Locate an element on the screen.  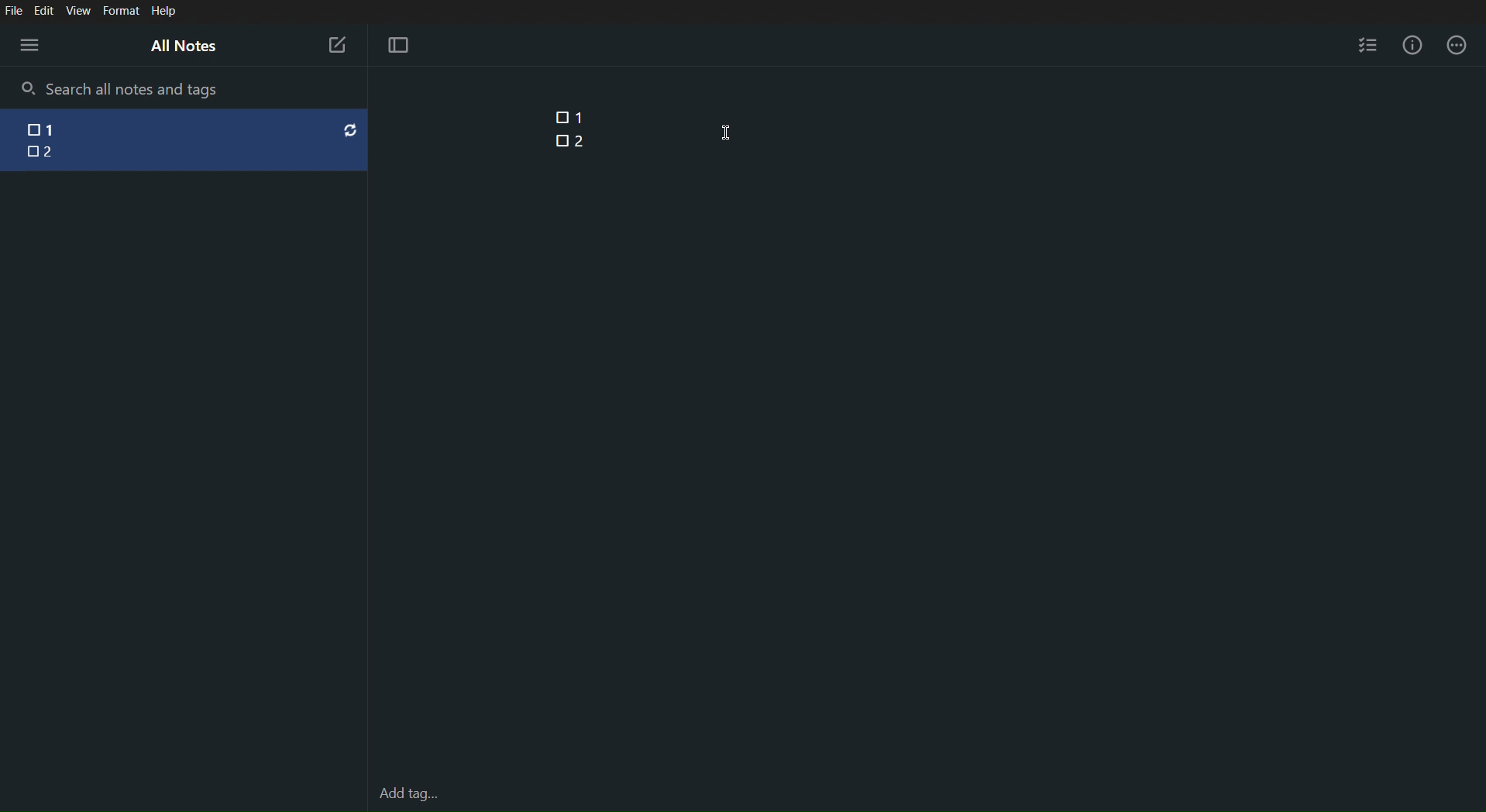
1 is located at coordinates (67, 128).